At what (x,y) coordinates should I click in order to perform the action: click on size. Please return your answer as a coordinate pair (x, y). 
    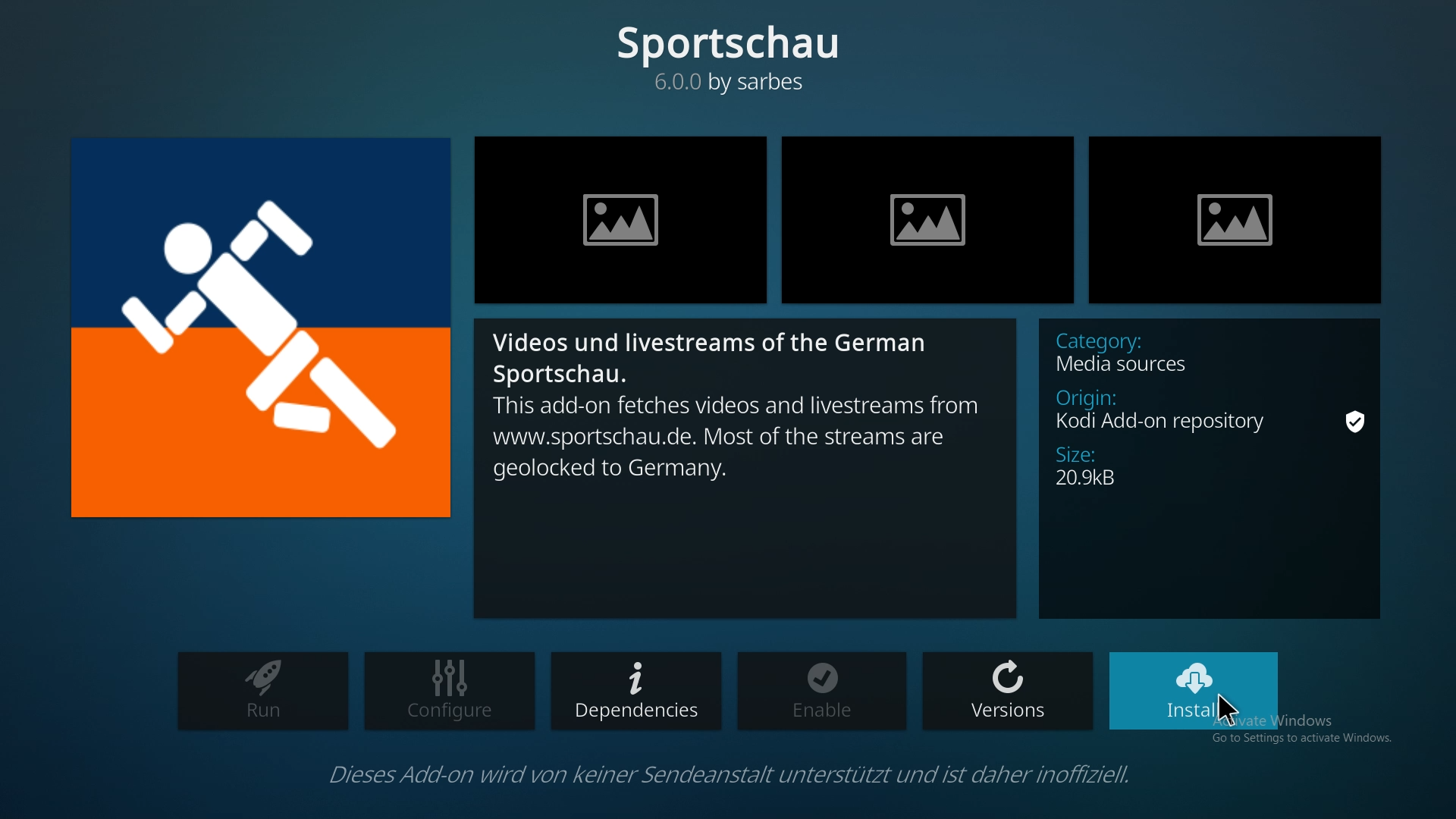
    Looking at the image, I should click on (1094, 471).